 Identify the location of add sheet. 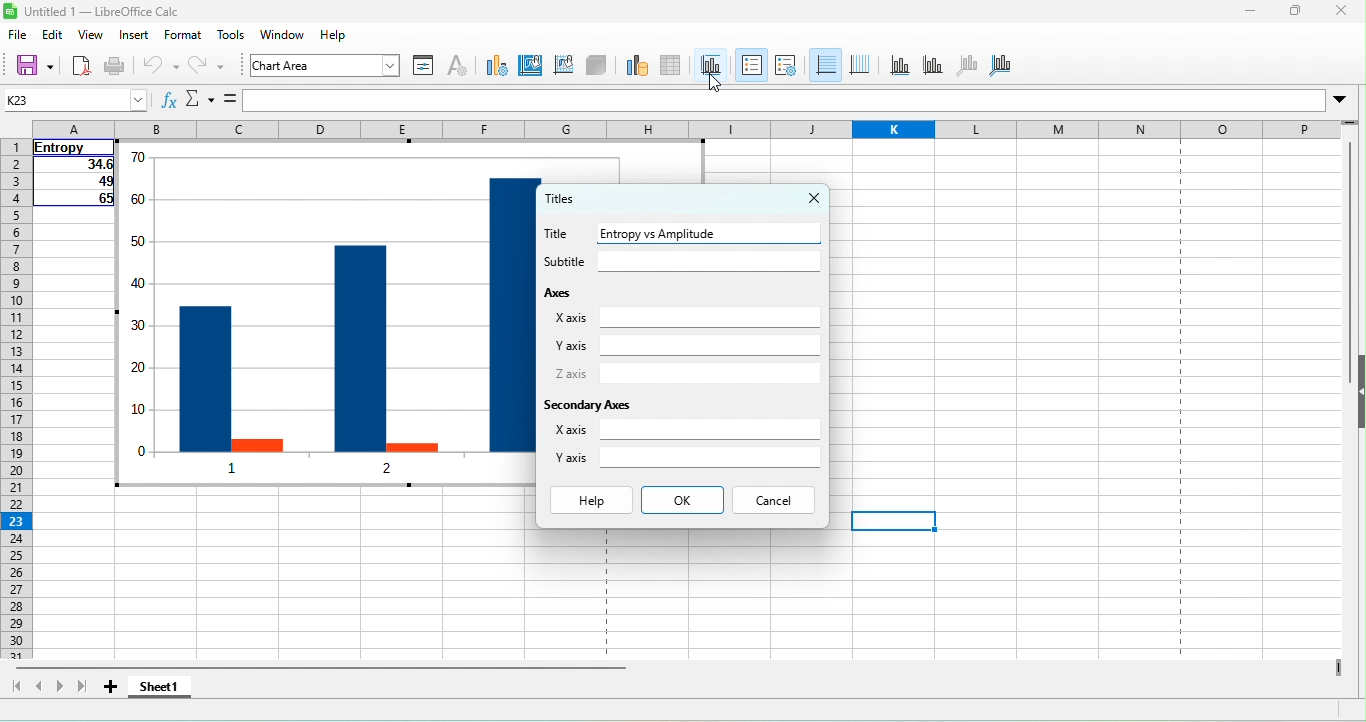
(117, 688).